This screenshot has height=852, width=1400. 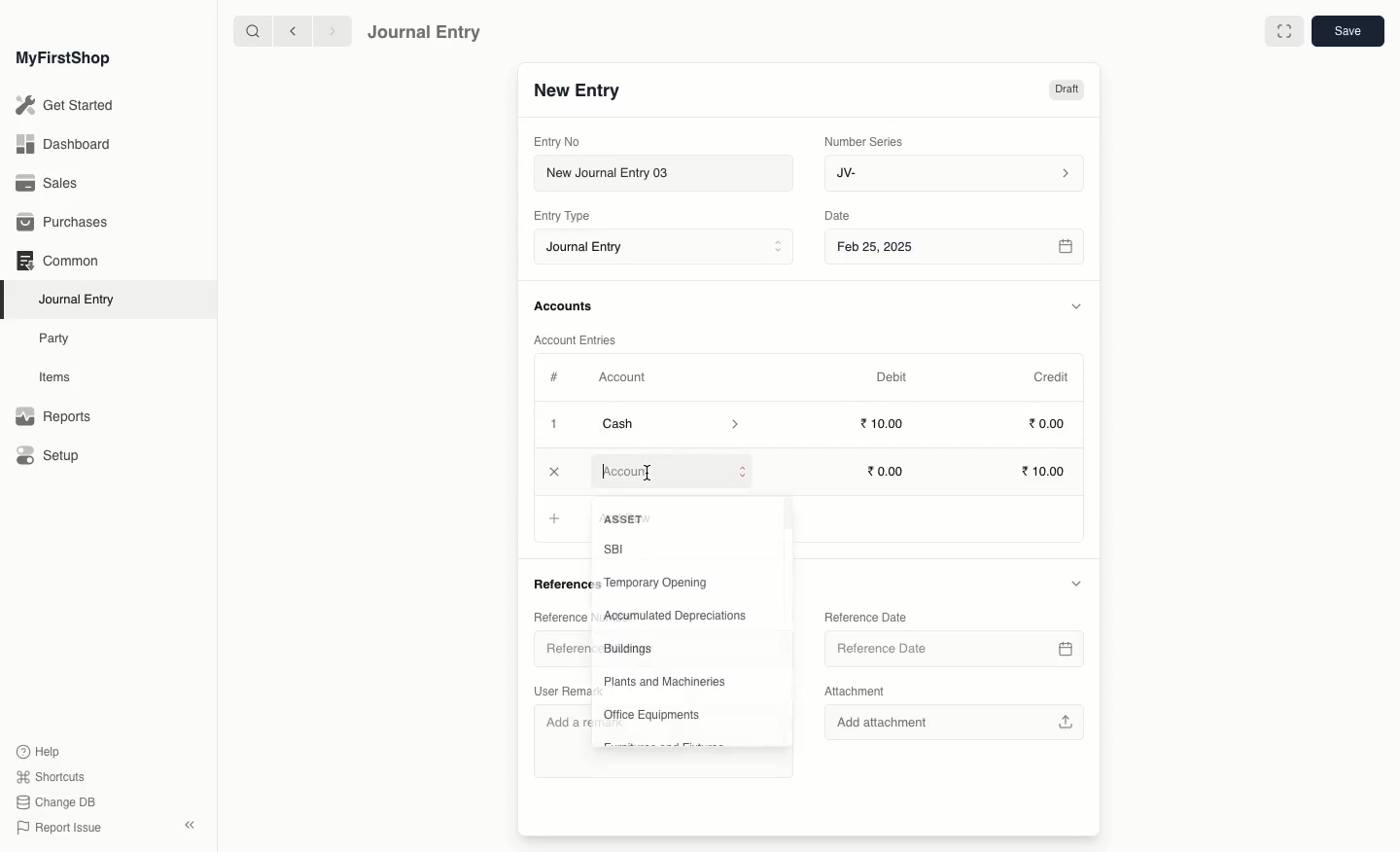 What do you see at coordinates (656, 583) in the screenshot?
I see `Temporary Opening` at bounding box center [656, 583].